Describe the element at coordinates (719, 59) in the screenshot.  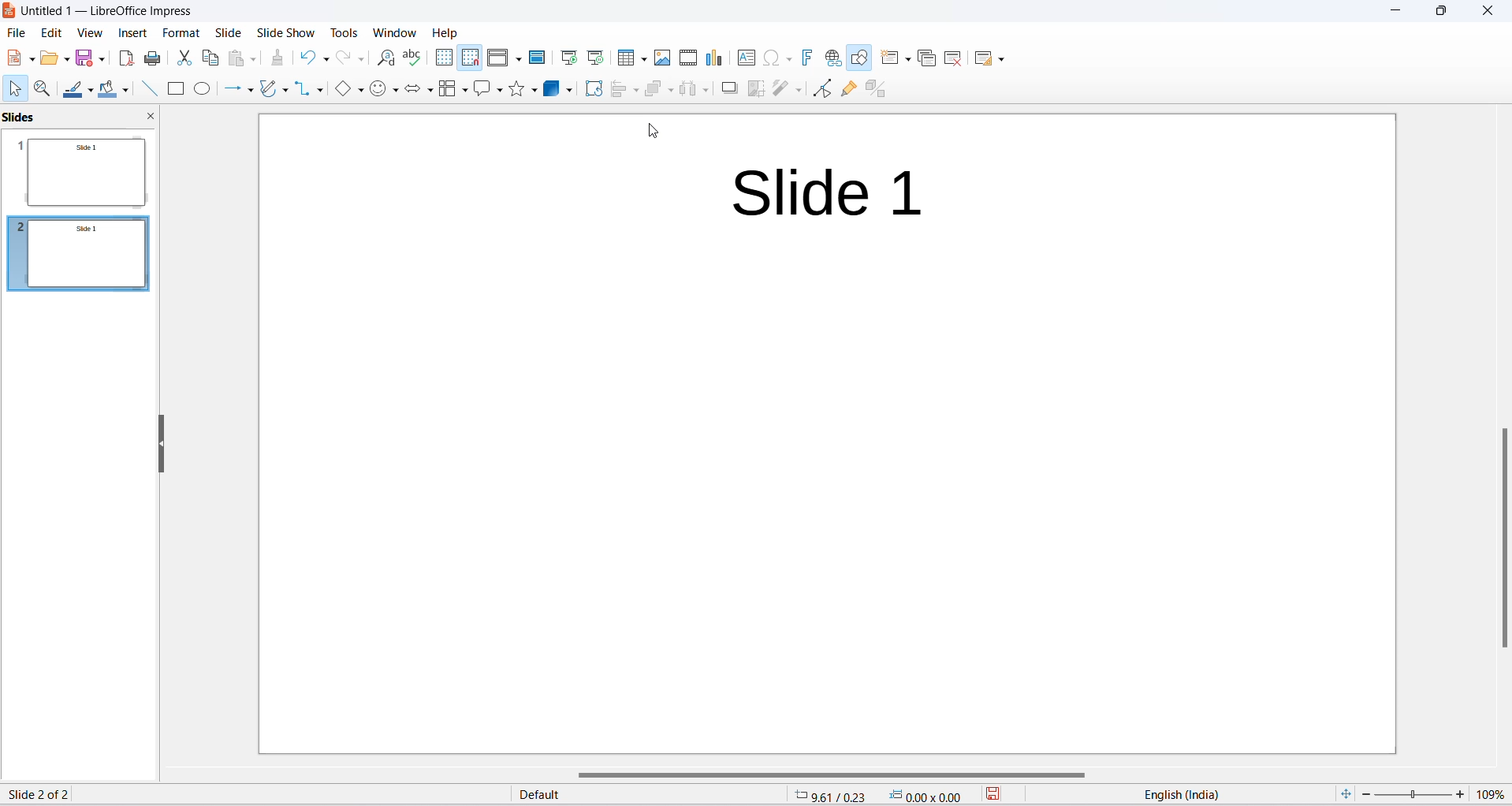
I see `insert chart` at that location.